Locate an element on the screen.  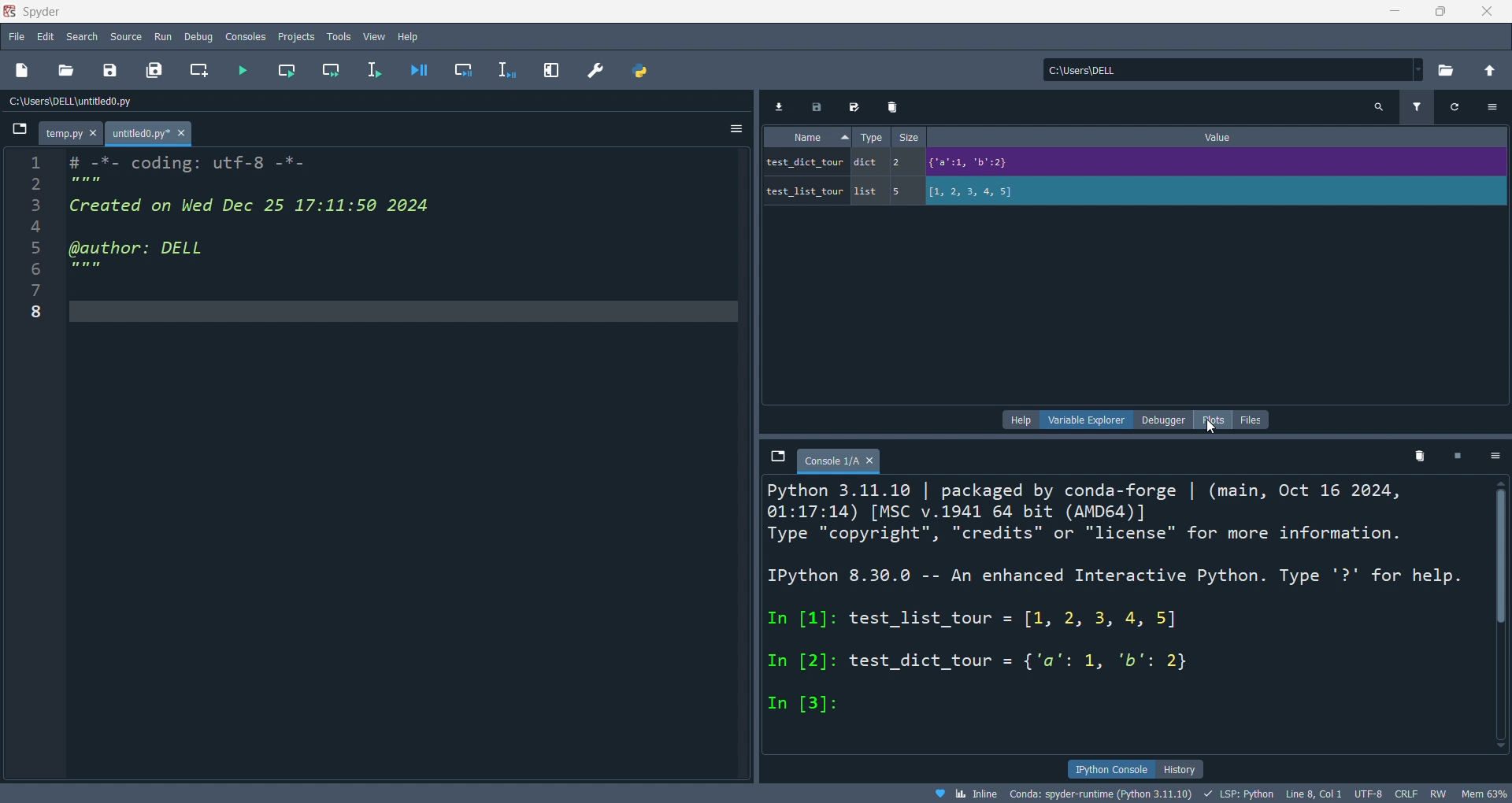
vertical scrollbar is located at coordinates (1499, 557).